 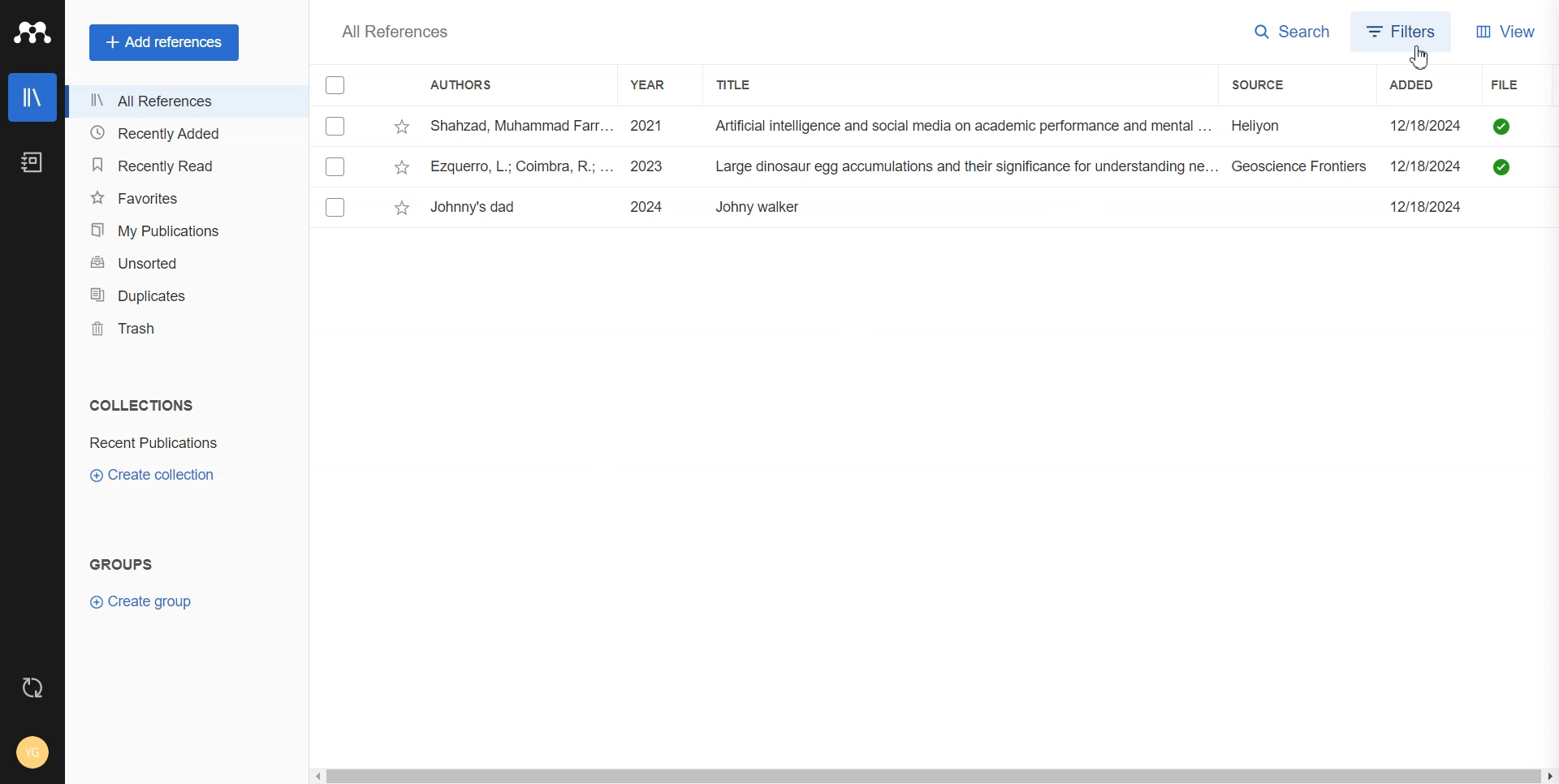 I want to click on Create Group, so click(x=149, y=601).